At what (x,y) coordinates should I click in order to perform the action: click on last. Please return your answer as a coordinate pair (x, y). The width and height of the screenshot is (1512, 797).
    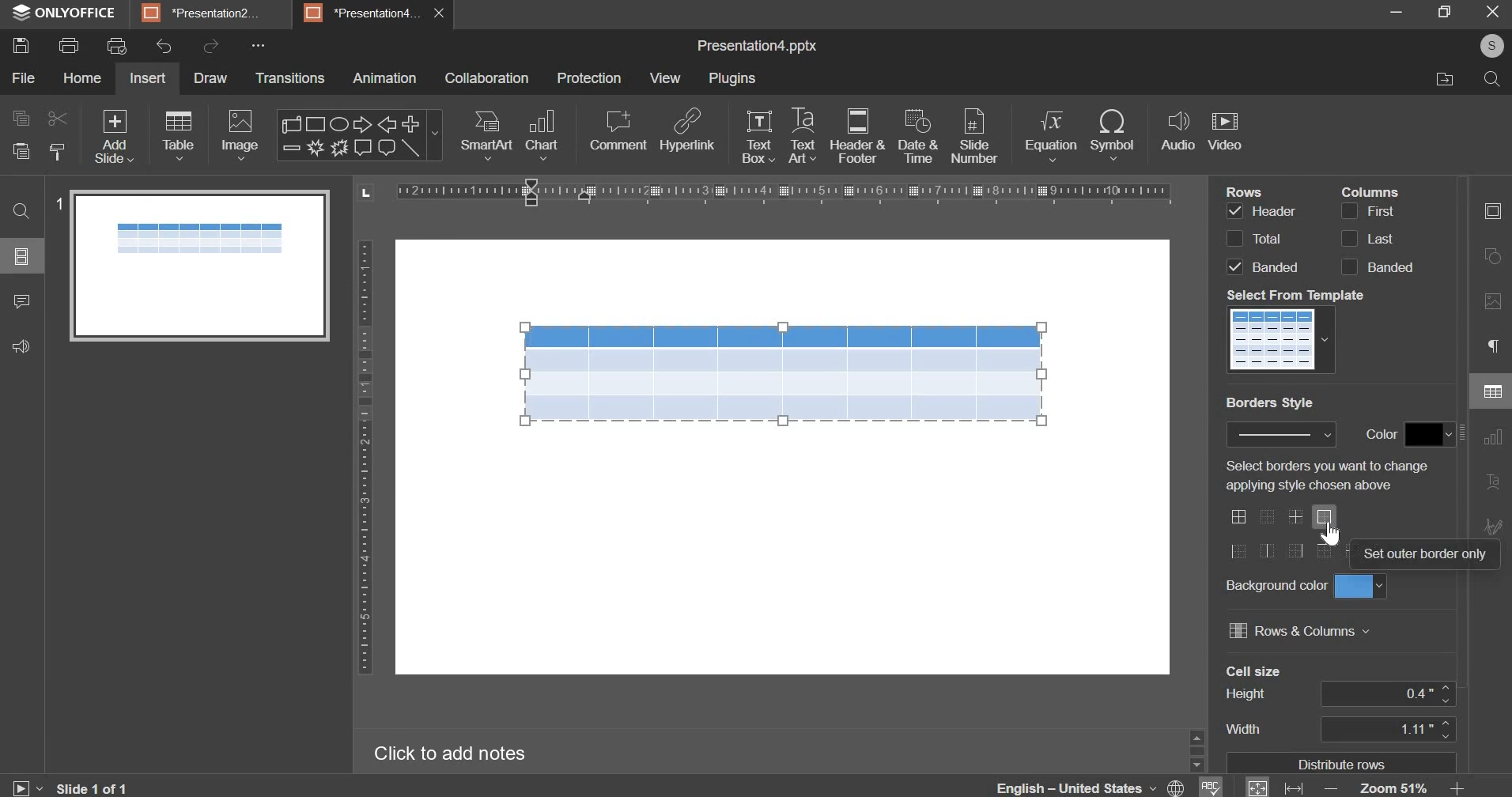
    Looking at the image, I should click on (1370, 238).